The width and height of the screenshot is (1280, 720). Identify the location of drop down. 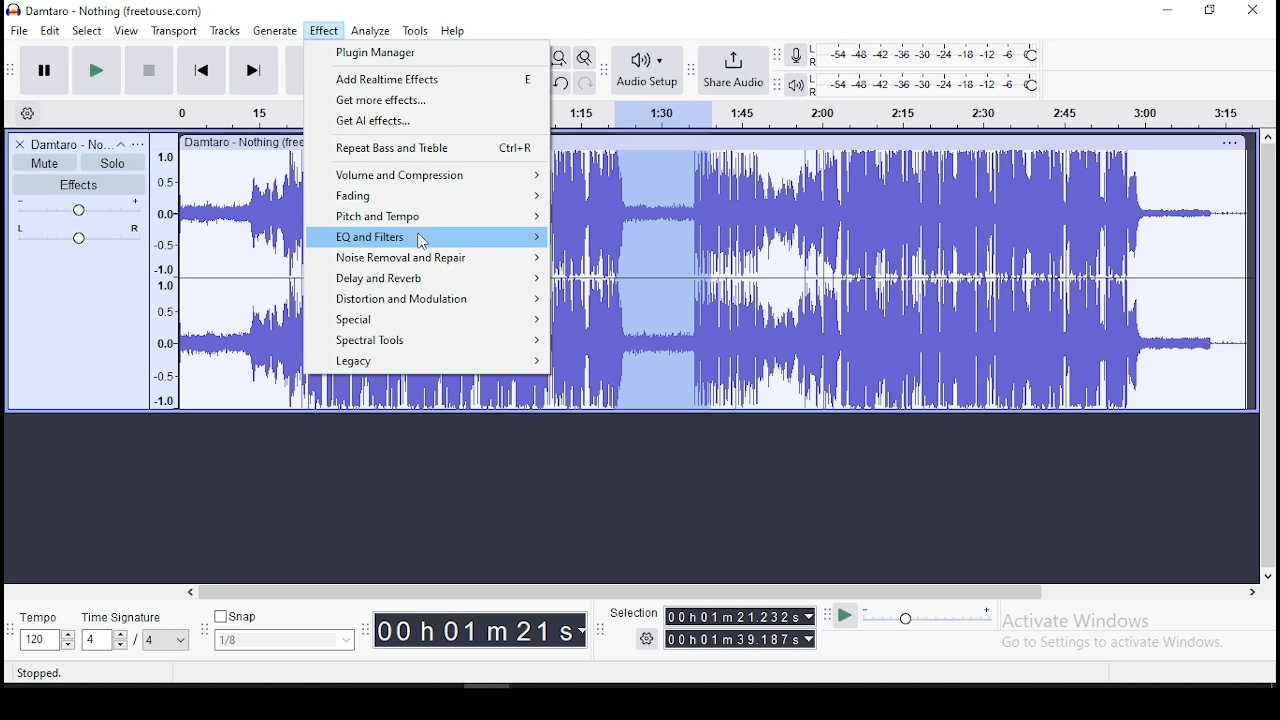
(807, 616).